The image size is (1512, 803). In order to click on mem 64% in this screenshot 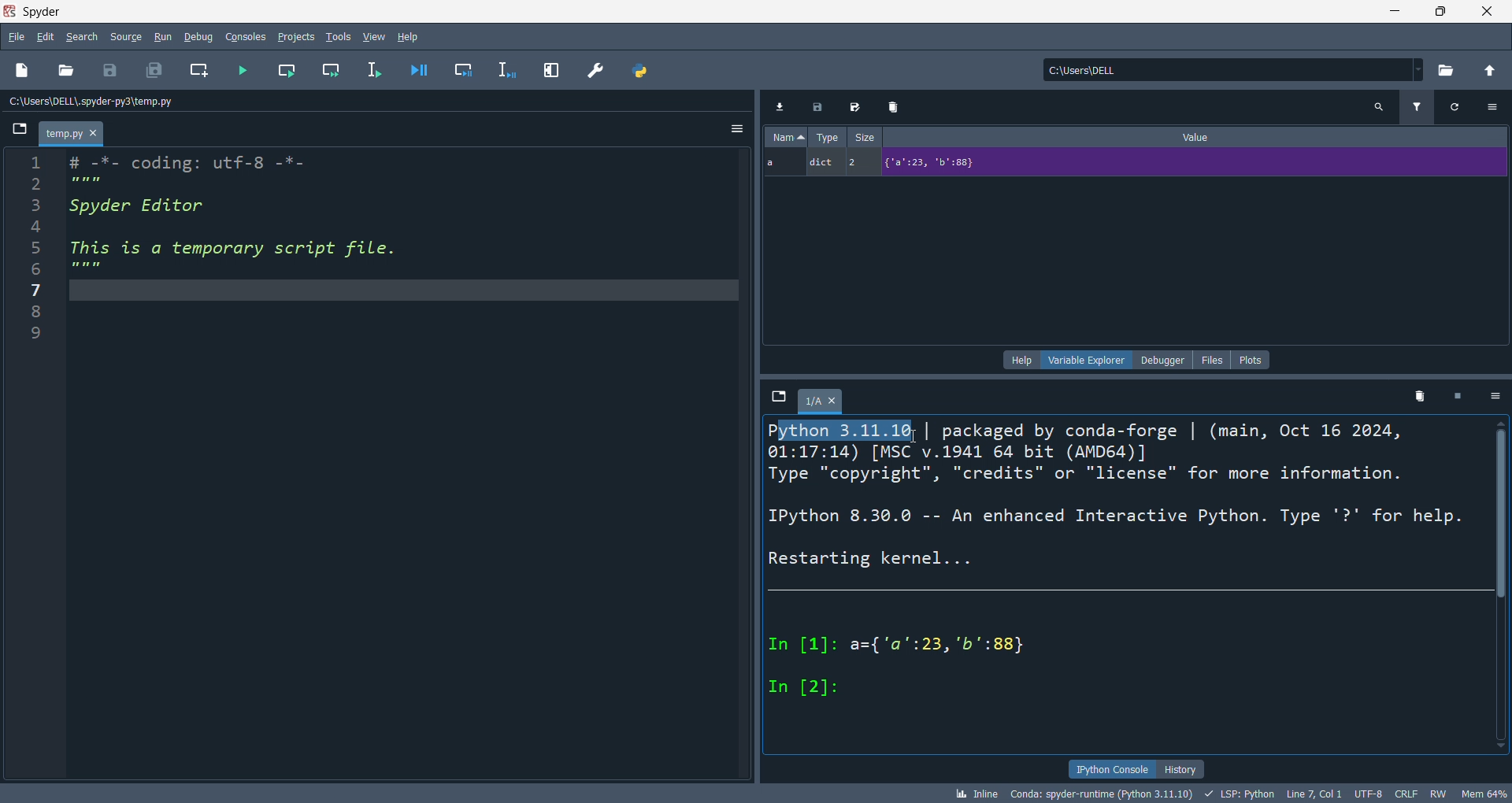, I will do `click(1484, 793)`.